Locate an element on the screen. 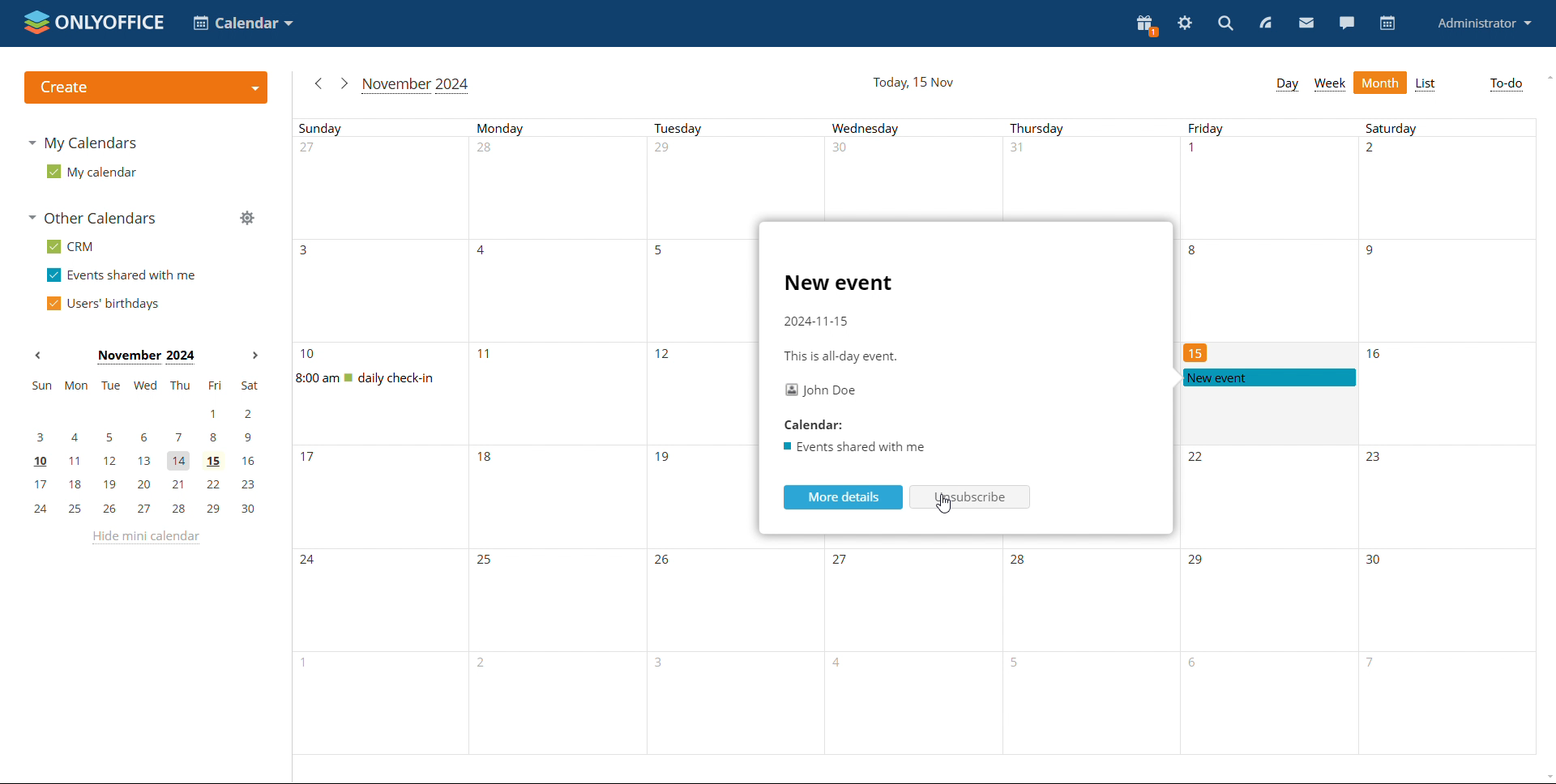  current month is located at coordinates (143, 357).